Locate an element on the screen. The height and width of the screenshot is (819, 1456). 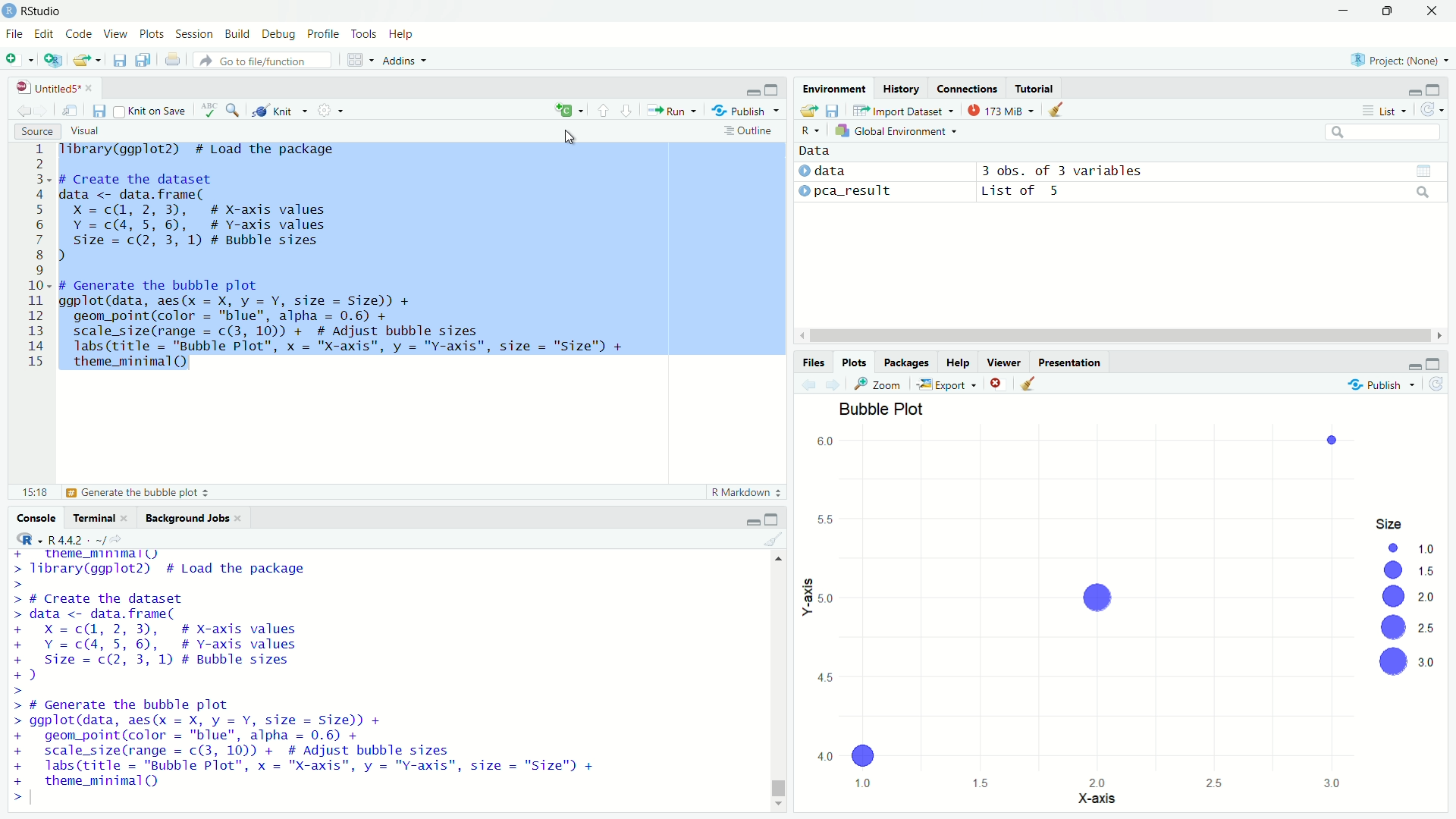
Tibrary(ggplot2) # Load the package

# Create the dataset

data <- data. frame(
X =c@, 2, 3), # X-axis values
Y =c(4,5, 6), # Y-axis values
Size = c(2, 3, 1) # Bubble sizes 1

)

# Generate the bubble plot

ggplot(data, aes(x = X, y = Y, size = Size)) +
geom_point(color = "blue", alpha = 0.6) +
scale_size(range = c(3, 10)) + # Adjust bubble sizes
labs (title = "Bubble Plot", x = "X-axis", y = "Y-axis", size = "Size") +
theme_minimal() is located at coordinates (356, 261).